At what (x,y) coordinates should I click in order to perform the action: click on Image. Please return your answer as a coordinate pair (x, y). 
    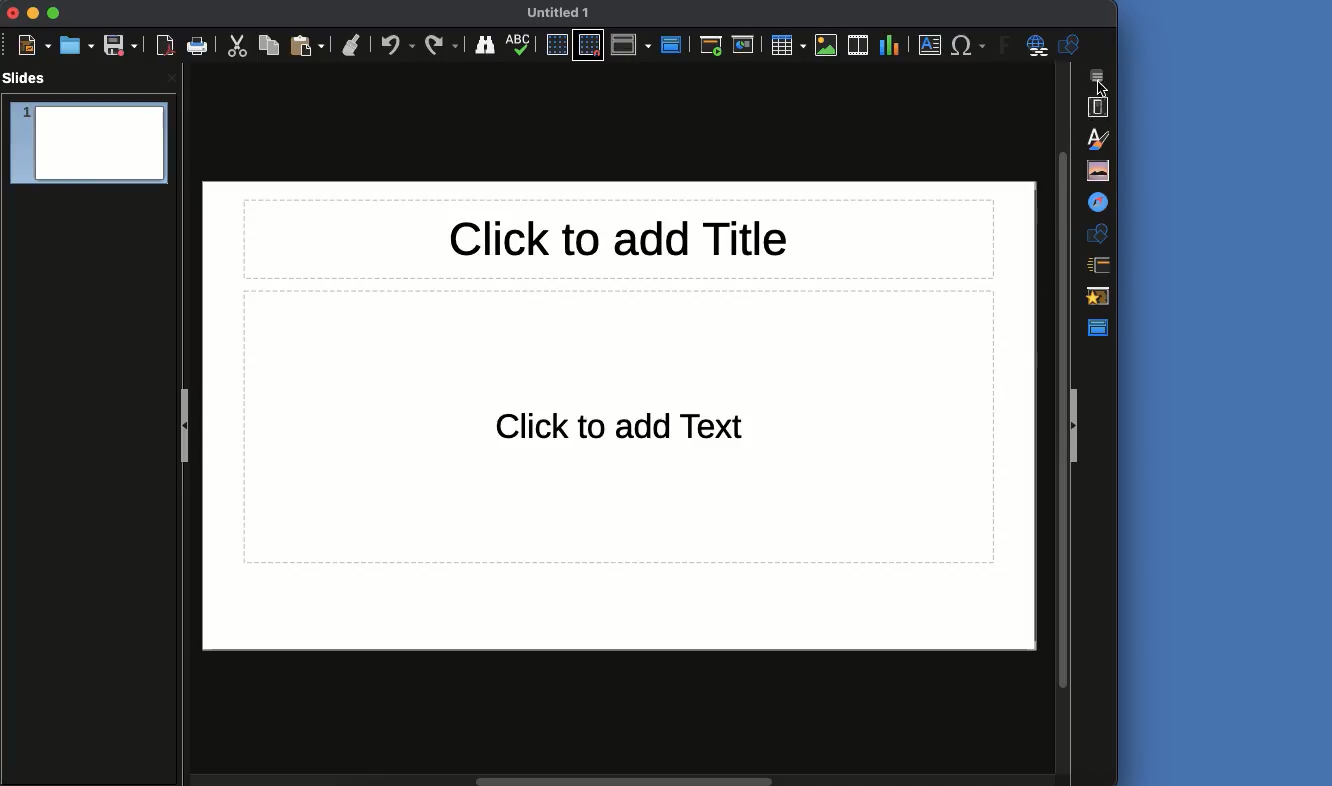
    Looking at the image, I should click on (827, 43).